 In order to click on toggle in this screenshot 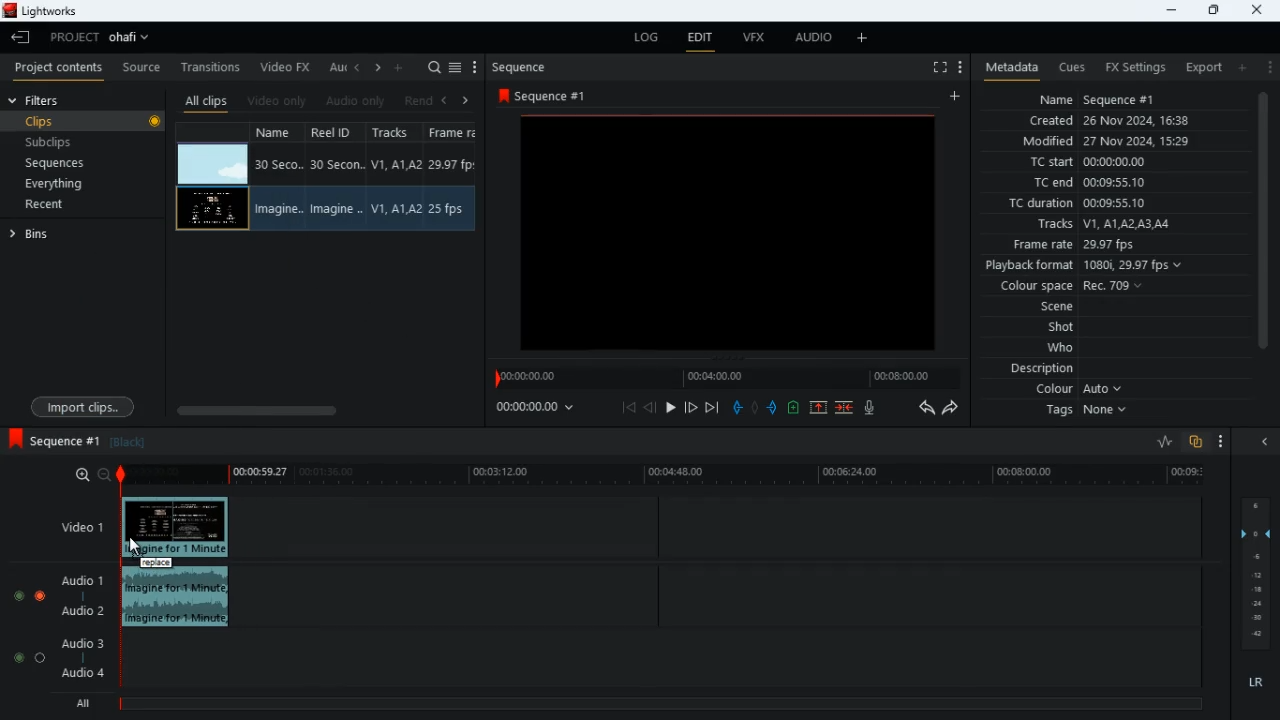, I will do `click(14, 657)`.